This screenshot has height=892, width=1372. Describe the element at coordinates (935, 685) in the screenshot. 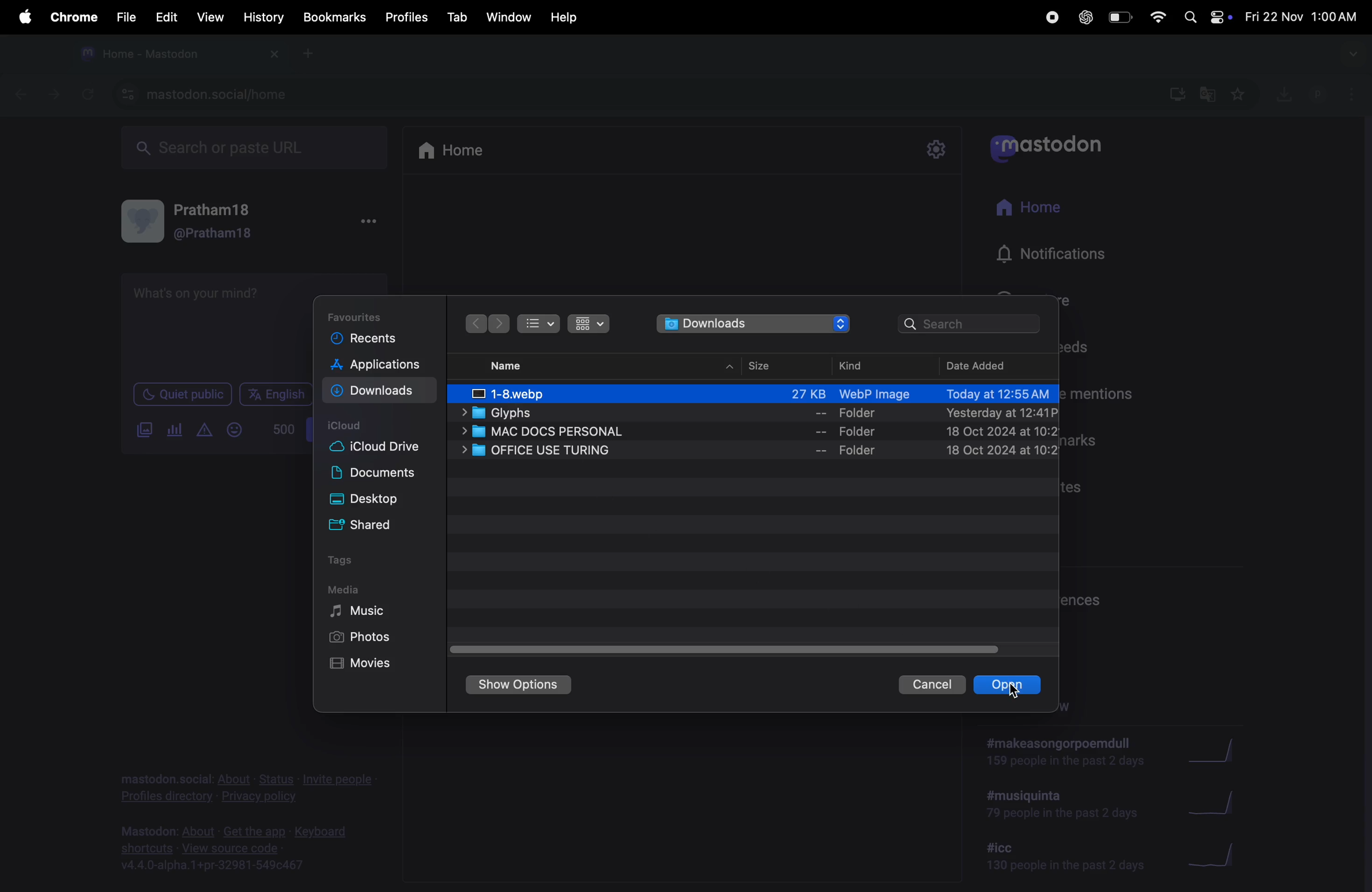

I see `cancel` at that location.